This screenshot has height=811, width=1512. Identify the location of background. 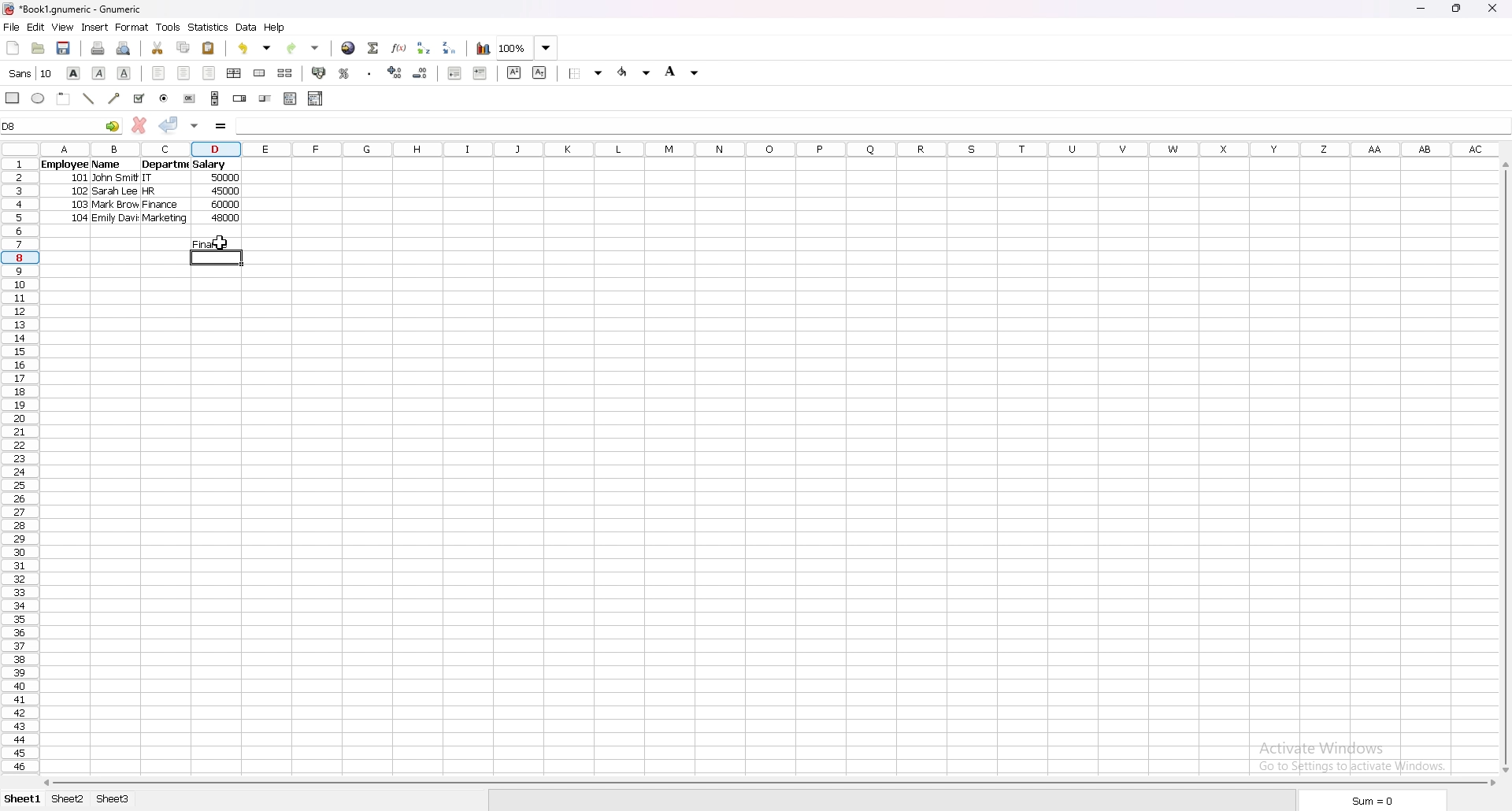
(685, 71).